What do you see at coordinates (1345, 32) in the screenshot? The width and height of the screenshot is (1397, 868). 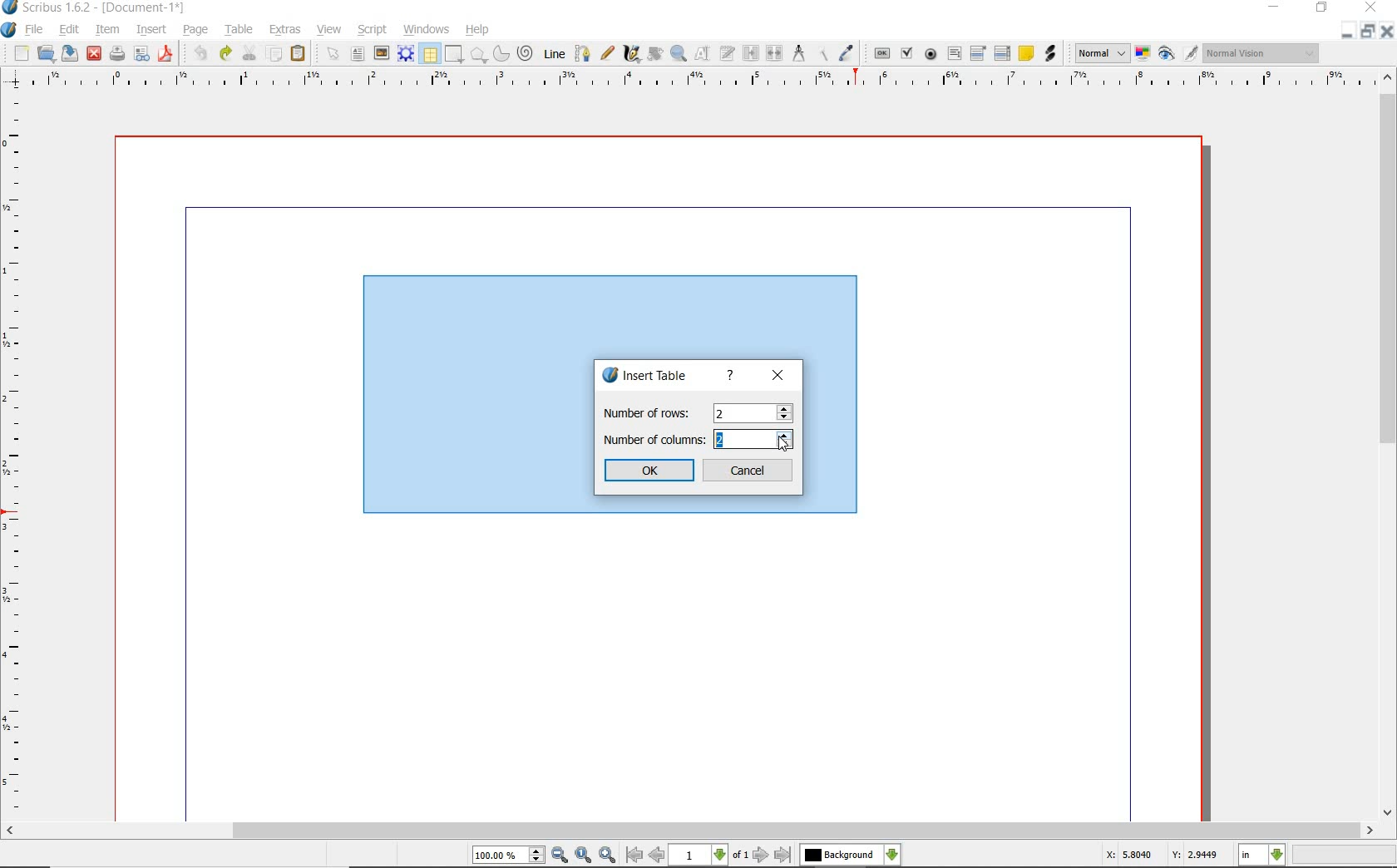 I see `minimize` at bounding box center [1345, 32].